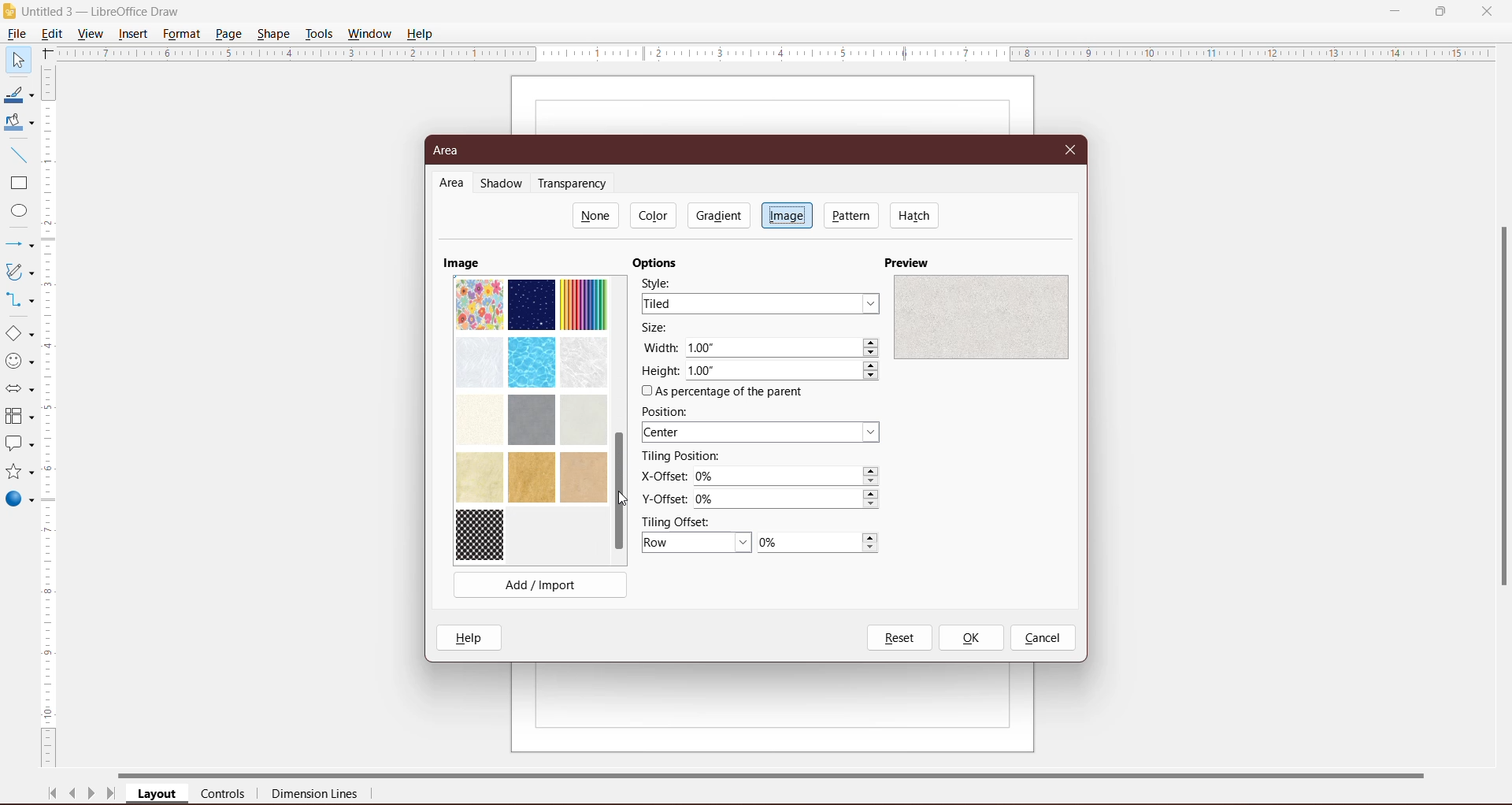 This screenshot has width=1512, height=805. I want to click on Shape, so click(275, 32).